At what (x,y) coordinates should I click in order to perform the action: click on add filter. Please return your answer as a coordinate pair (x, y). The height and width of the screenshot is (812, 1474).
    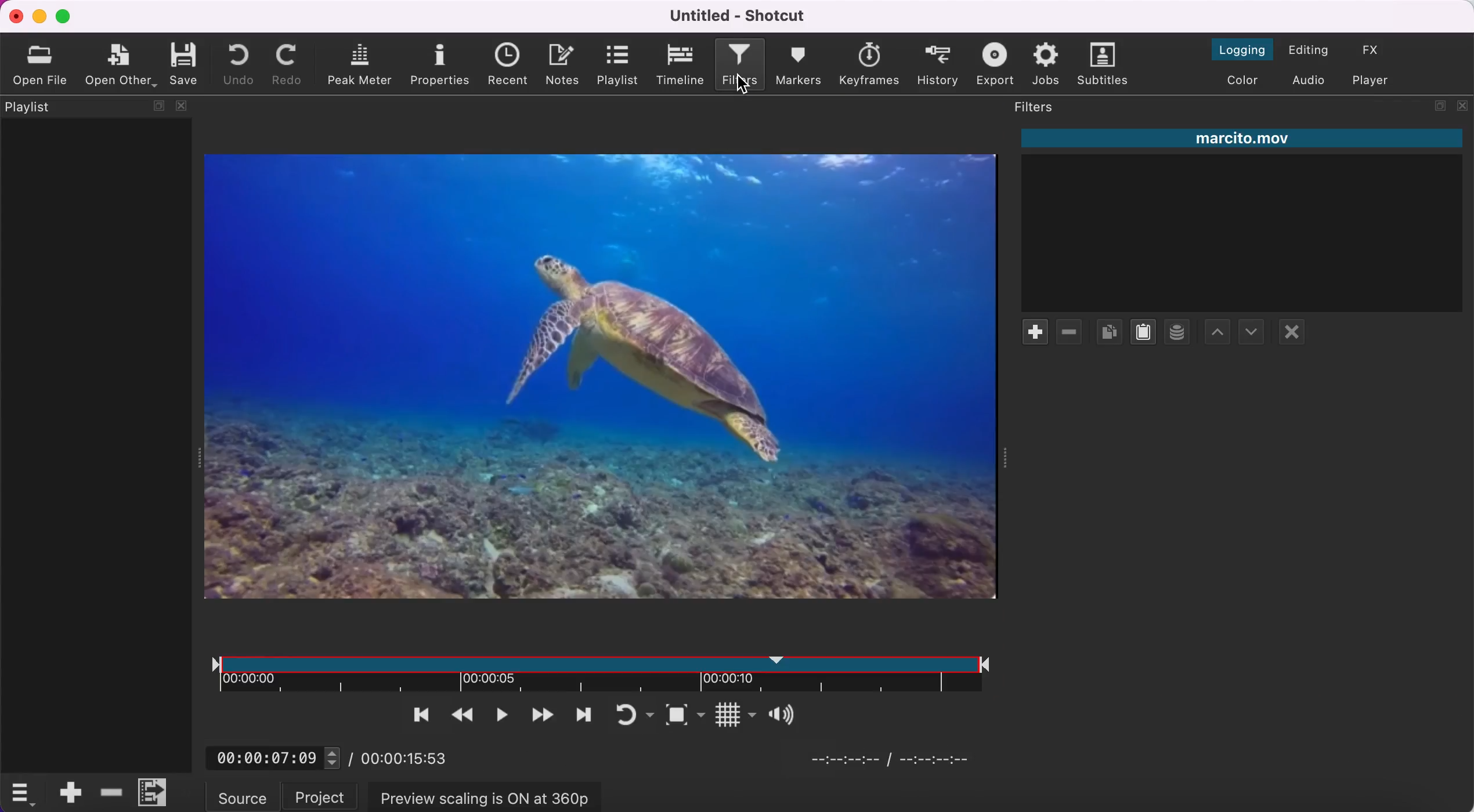
    Looking at the image, I should click on (1034, 333).